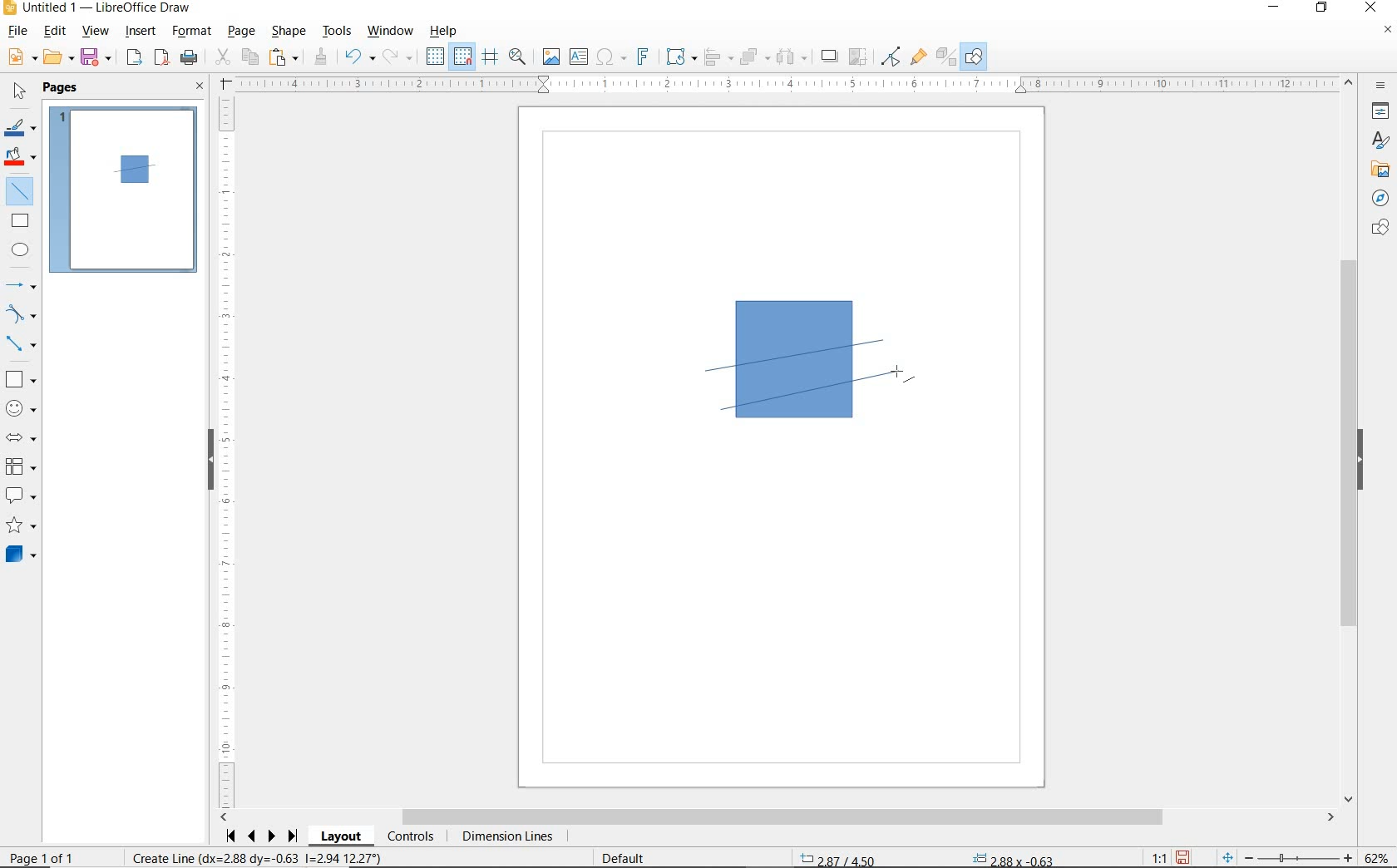 The width and height of the screenshot is (1397, 868). I want to click on WINDOW, so click(391, 32).